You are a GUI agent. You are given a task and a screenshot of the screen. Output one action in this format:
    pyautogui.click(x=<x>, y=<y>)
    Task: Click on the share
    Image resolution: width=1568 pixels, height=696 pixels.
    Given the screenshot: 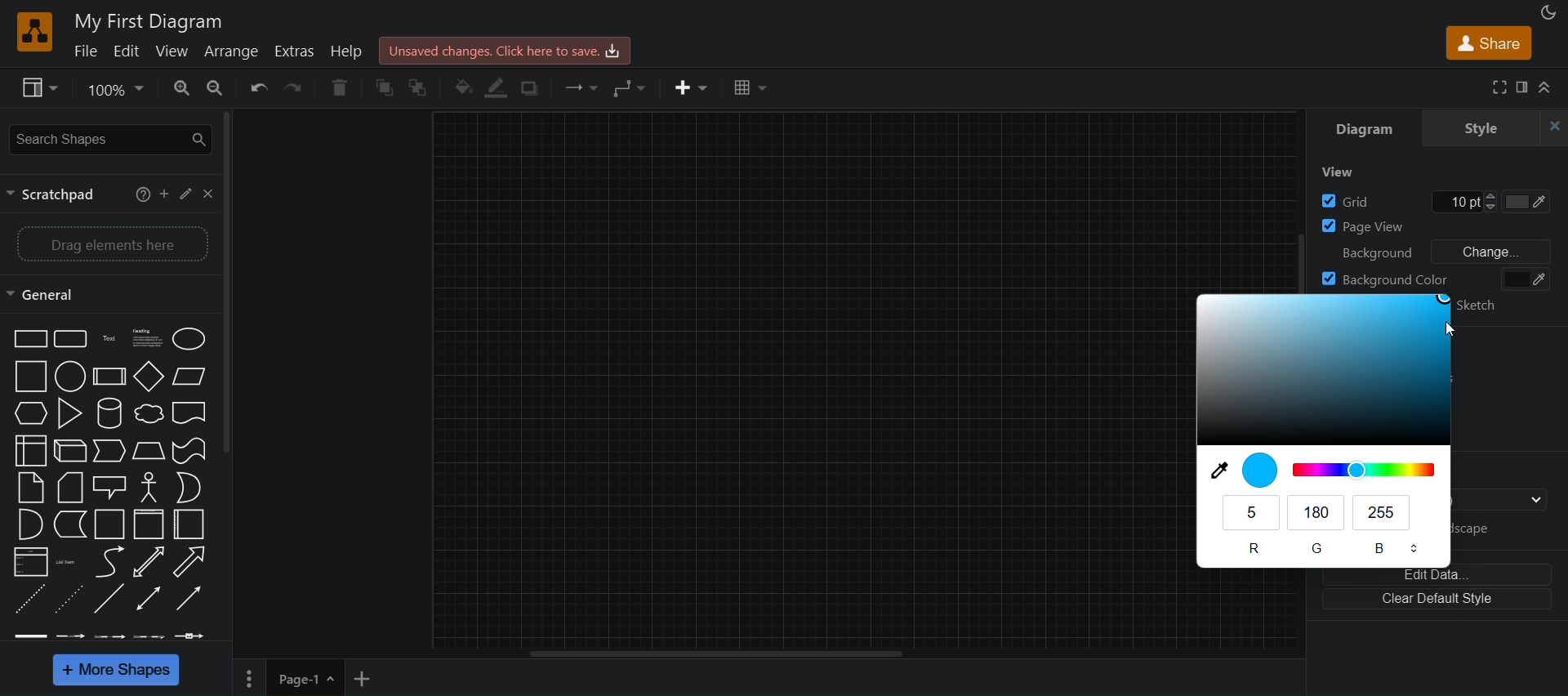 What is the action you would take?
    pyautogui.click(x=1486, y=44)
    